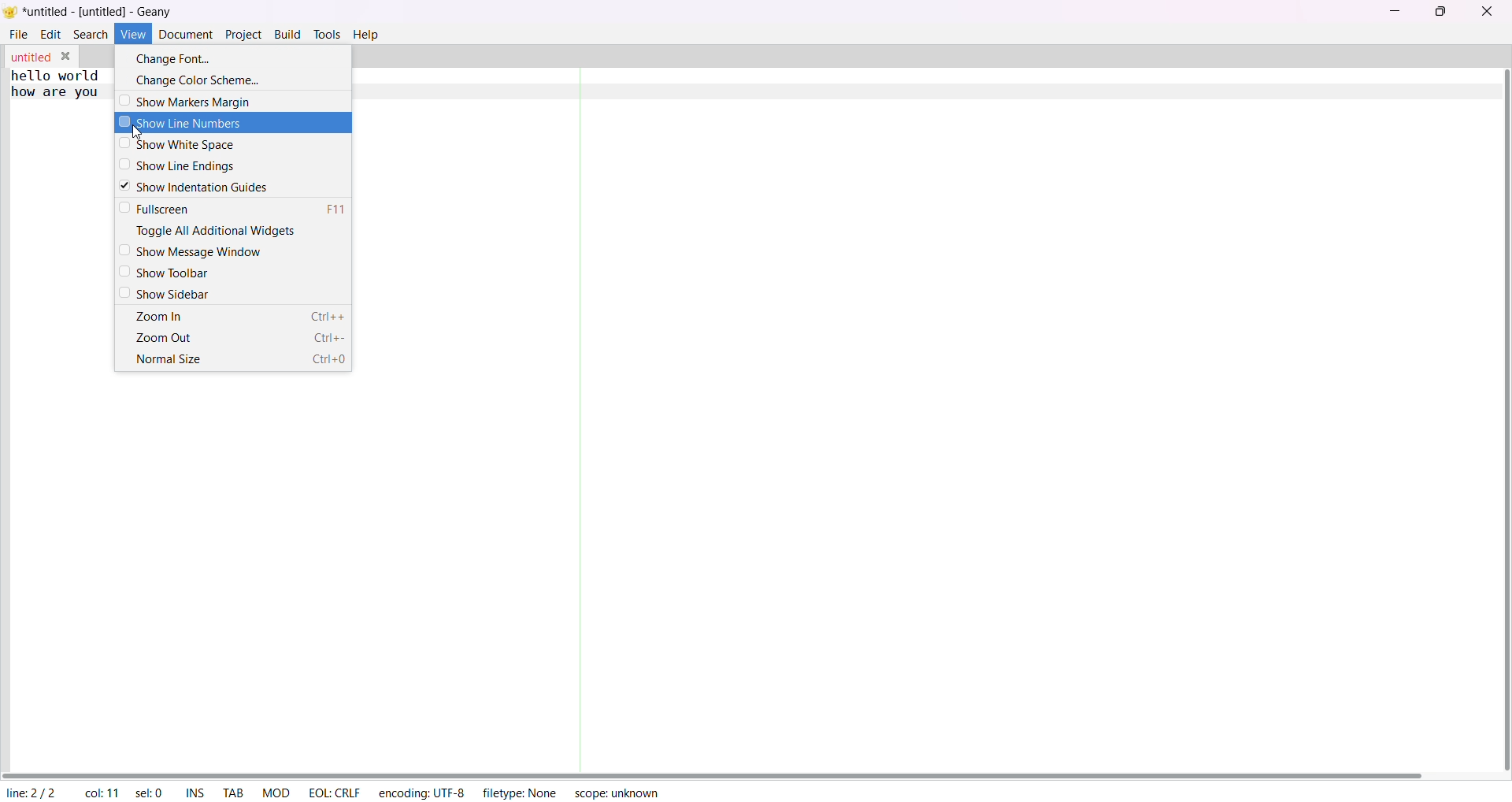  I want to click on change font, so click(180, 59).